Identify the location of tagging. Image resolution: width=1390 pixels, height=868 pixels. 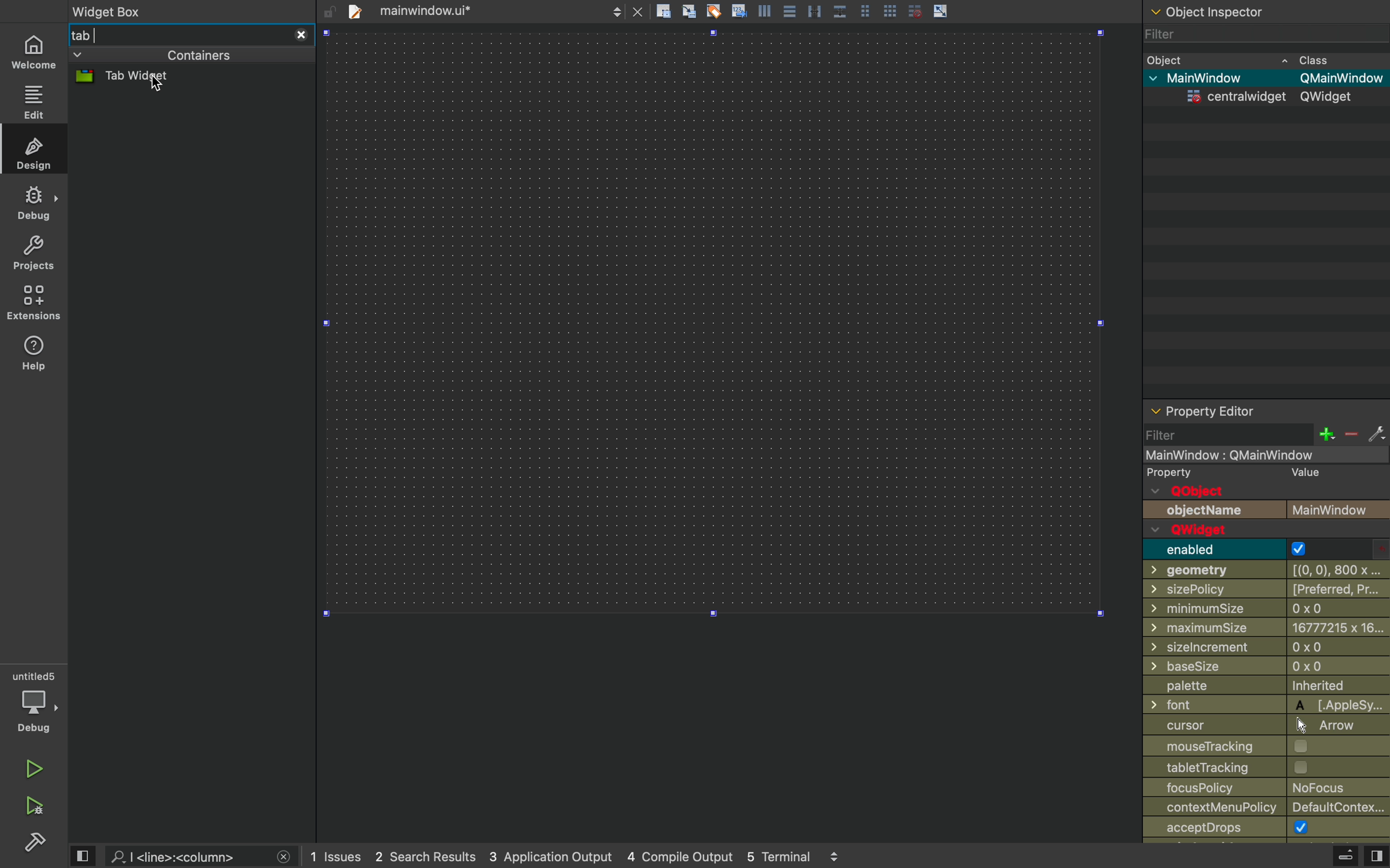
(713, 10).